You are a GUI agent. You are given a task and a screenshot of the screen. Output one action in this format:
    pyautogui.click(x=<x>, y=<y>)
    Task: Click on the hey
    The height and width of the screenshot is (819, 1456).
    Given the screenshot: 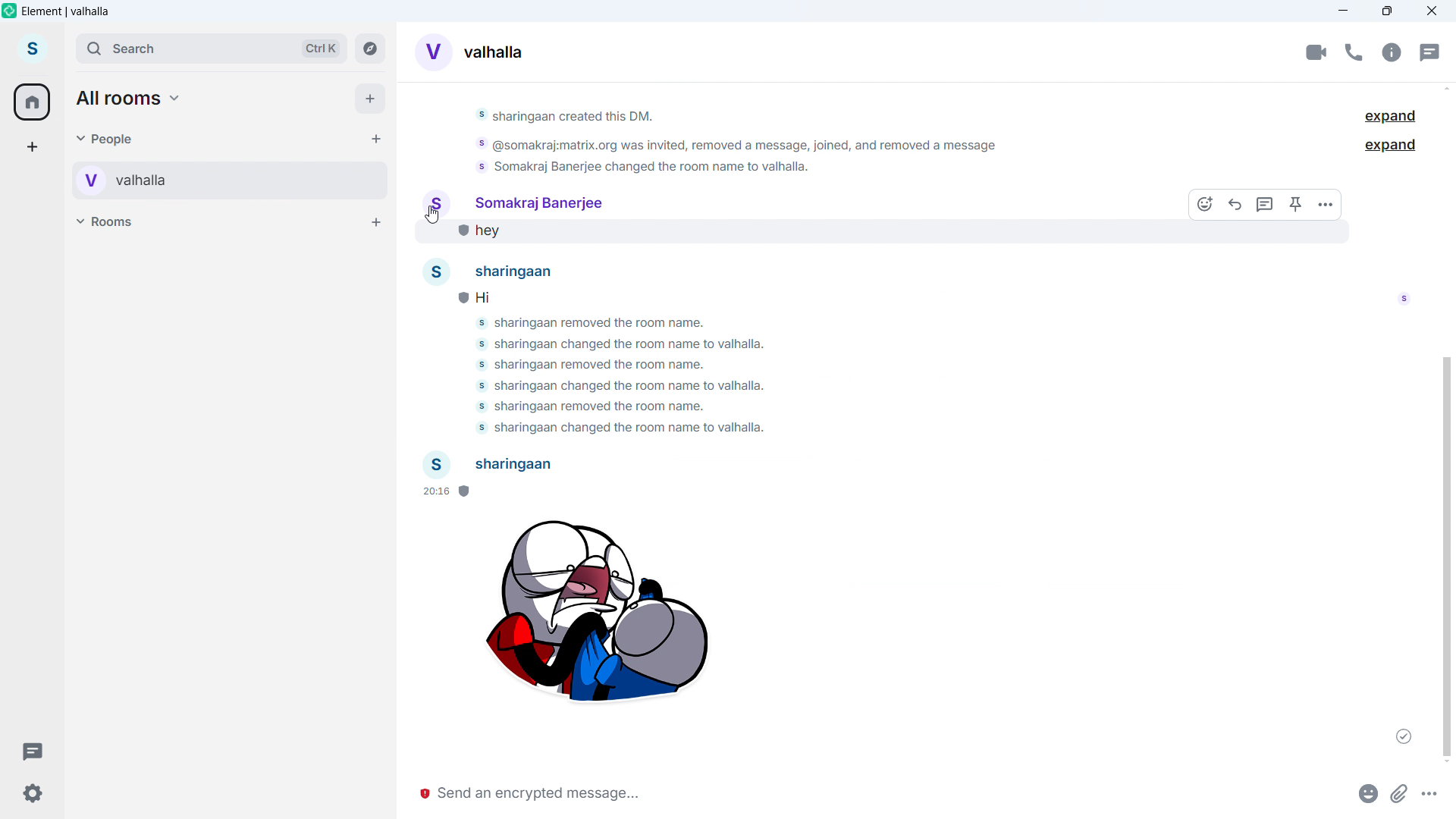 What is the action you would take?
    pyautogui.click(x=900, y=233)
    